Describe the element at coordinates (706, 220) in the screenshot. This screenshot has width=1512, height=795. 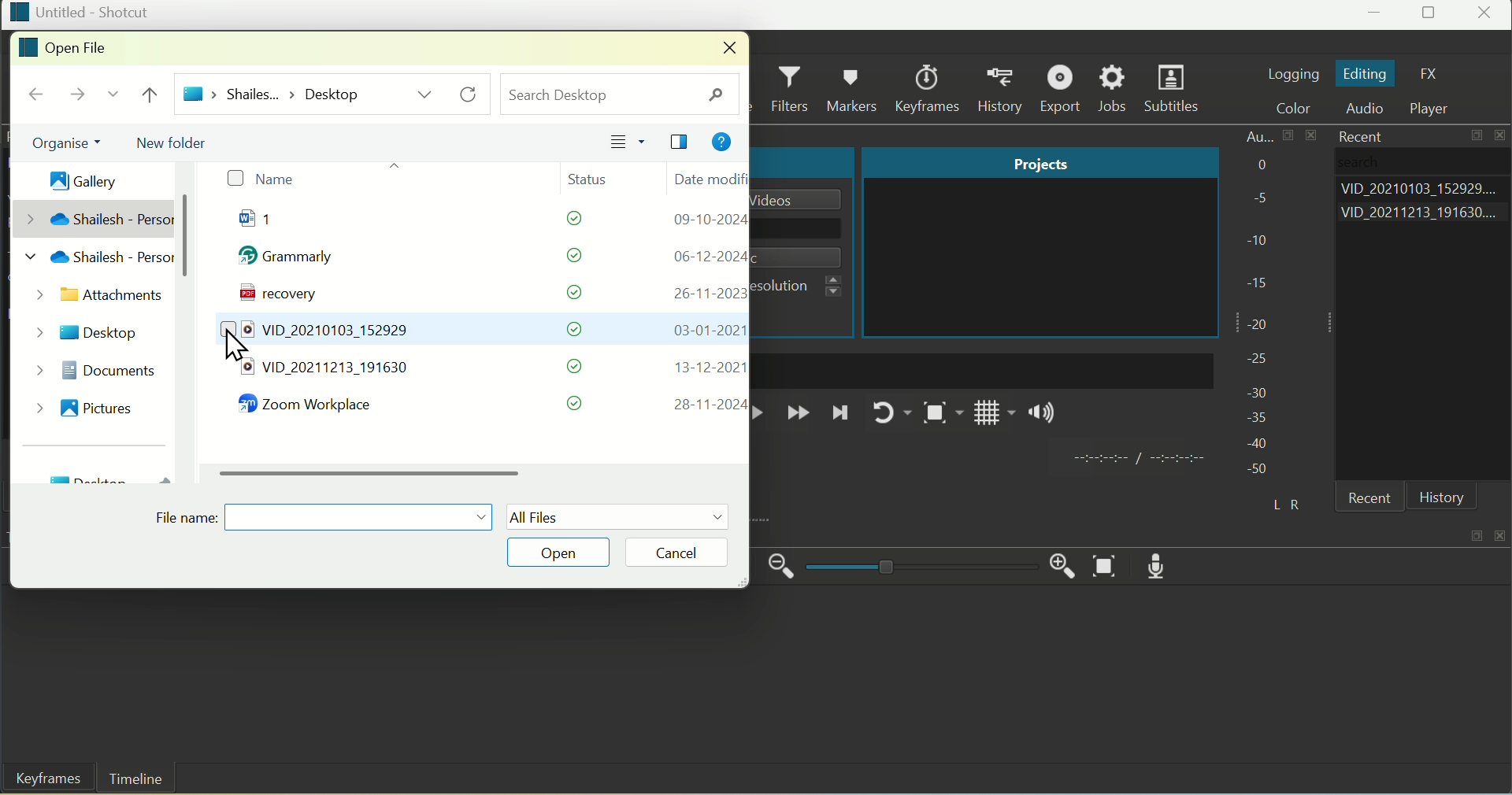
I see `date` at that location.